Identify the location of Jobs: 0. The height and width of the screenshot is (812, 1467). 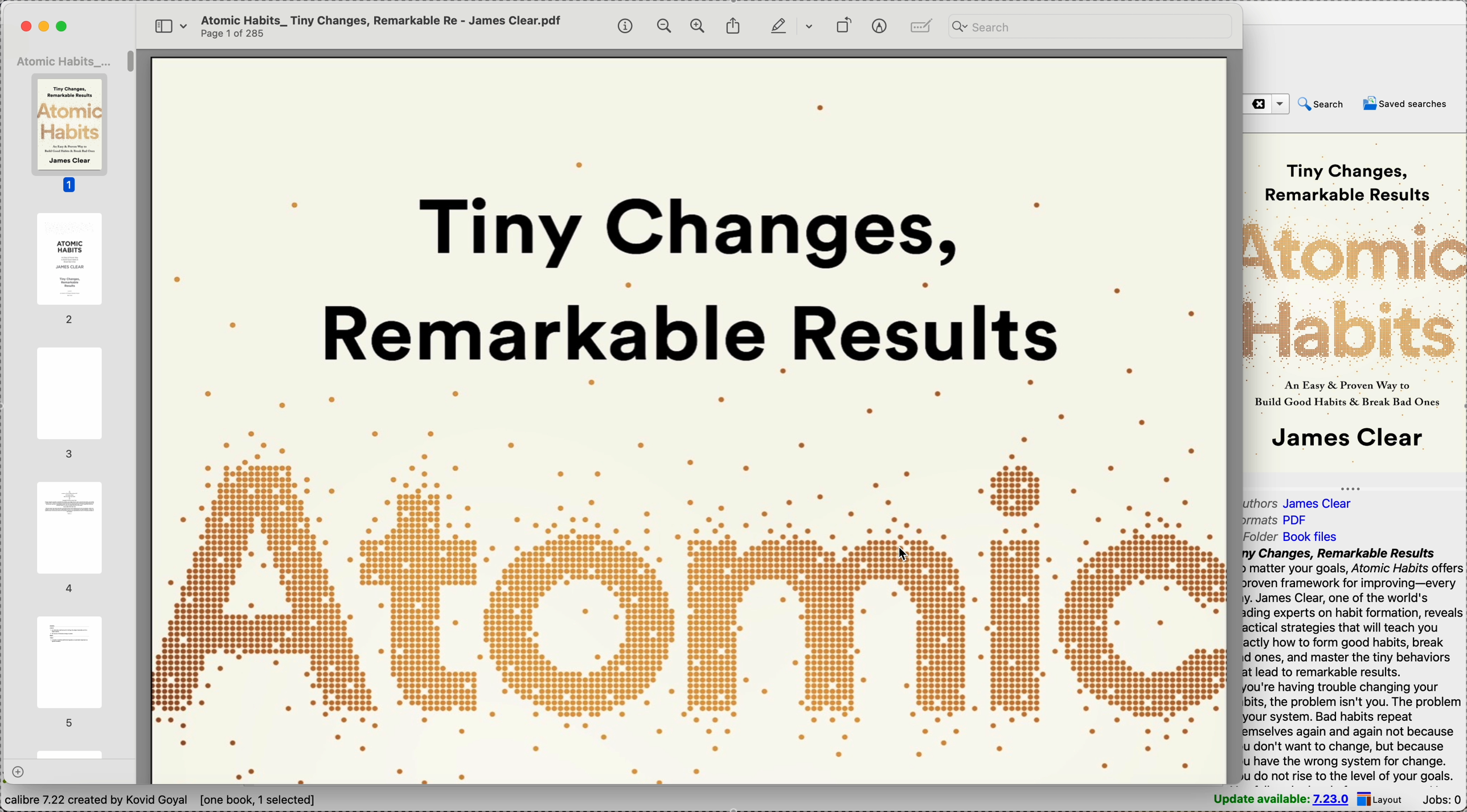
(1441, 799).